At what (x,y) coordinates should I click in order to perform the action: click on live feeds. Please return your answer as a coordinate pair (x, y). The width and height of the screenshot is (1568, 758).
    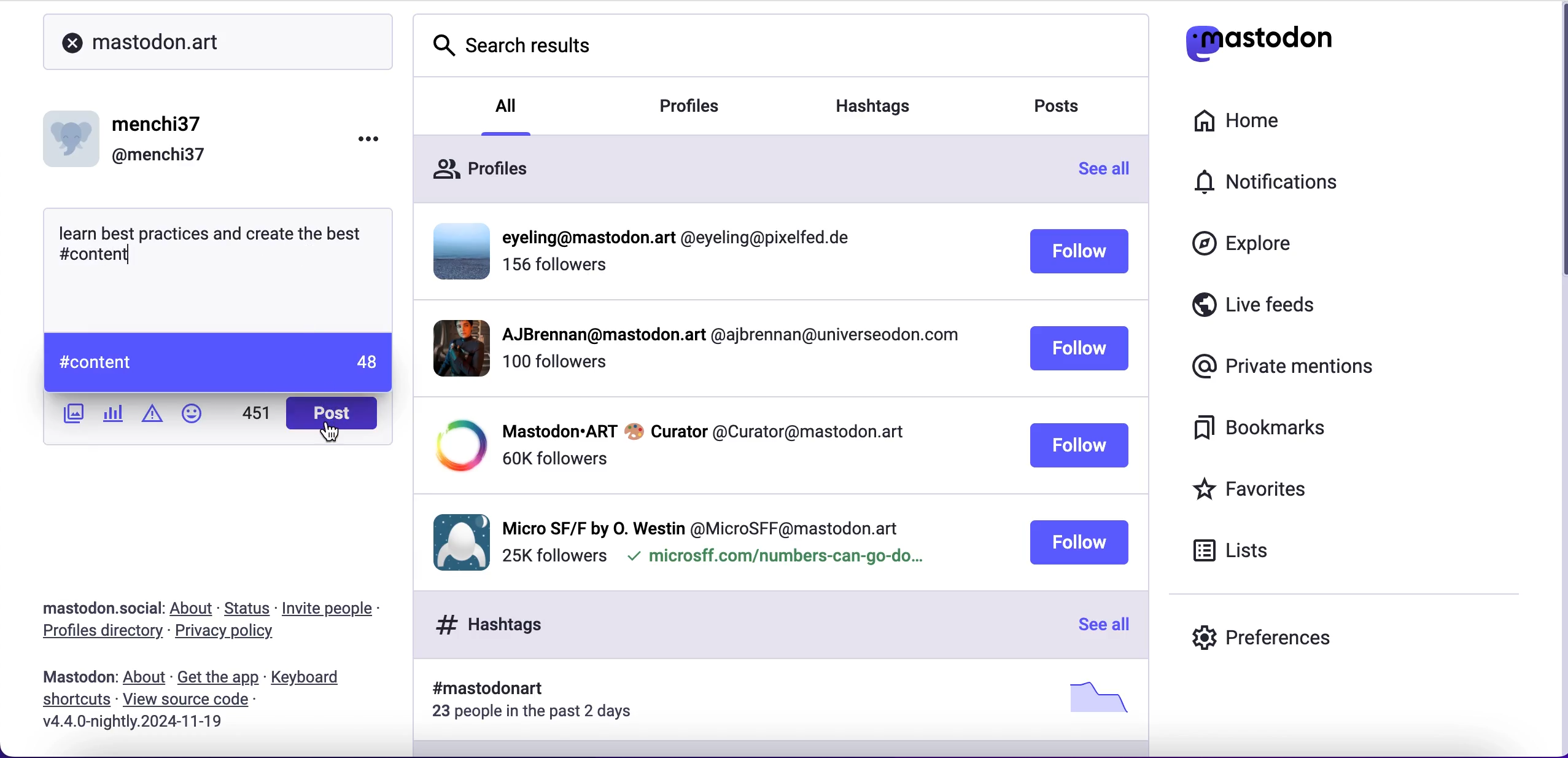
    Looking at the image, I should click on (1264, 303).